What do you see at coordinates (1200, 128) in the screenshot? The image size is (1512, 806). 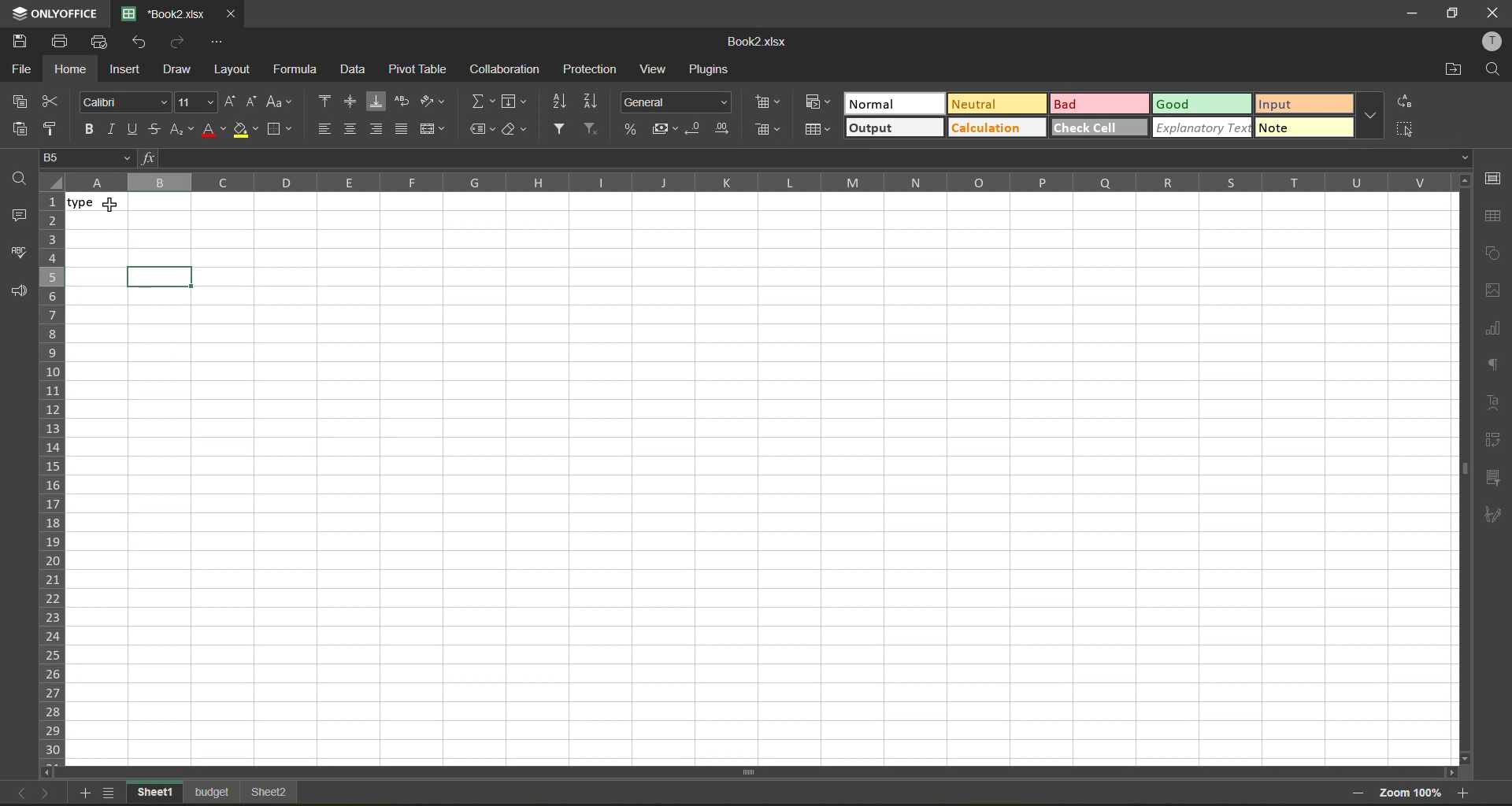 I see `explanatory text` at bounding box center [1200, 128].